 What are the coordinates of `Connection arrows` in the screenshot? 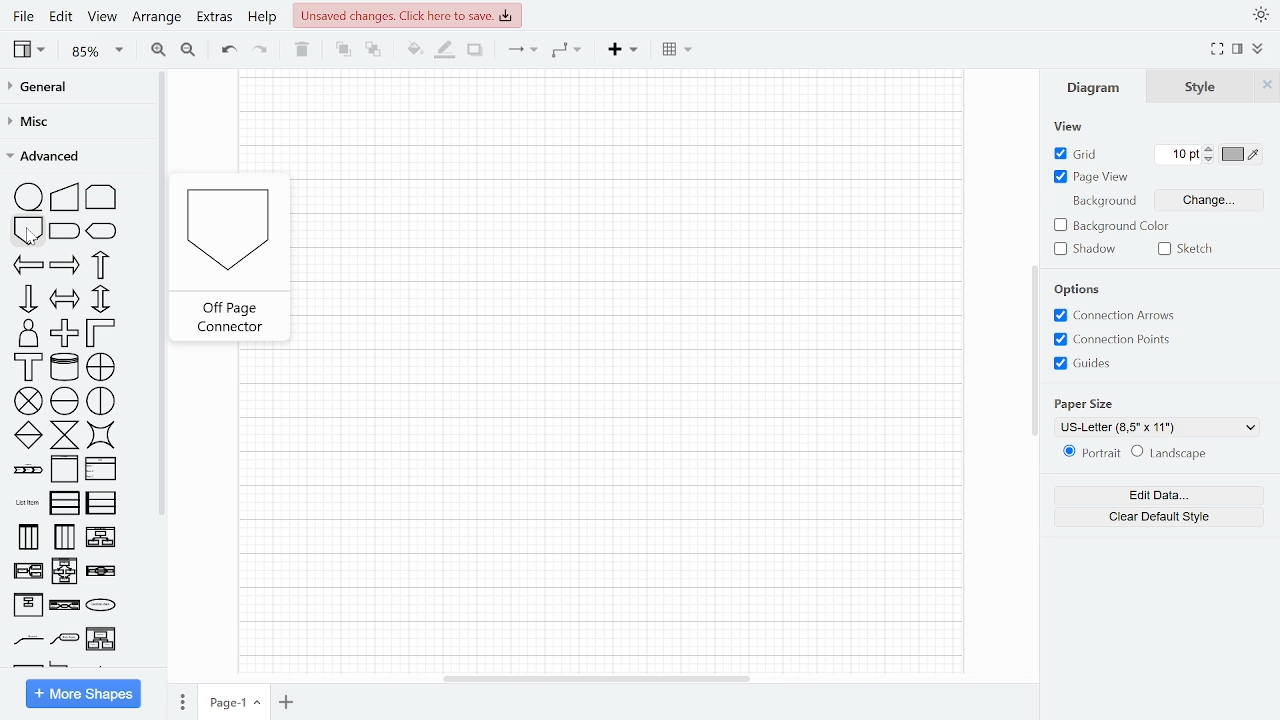 It's located at (1114, 317).